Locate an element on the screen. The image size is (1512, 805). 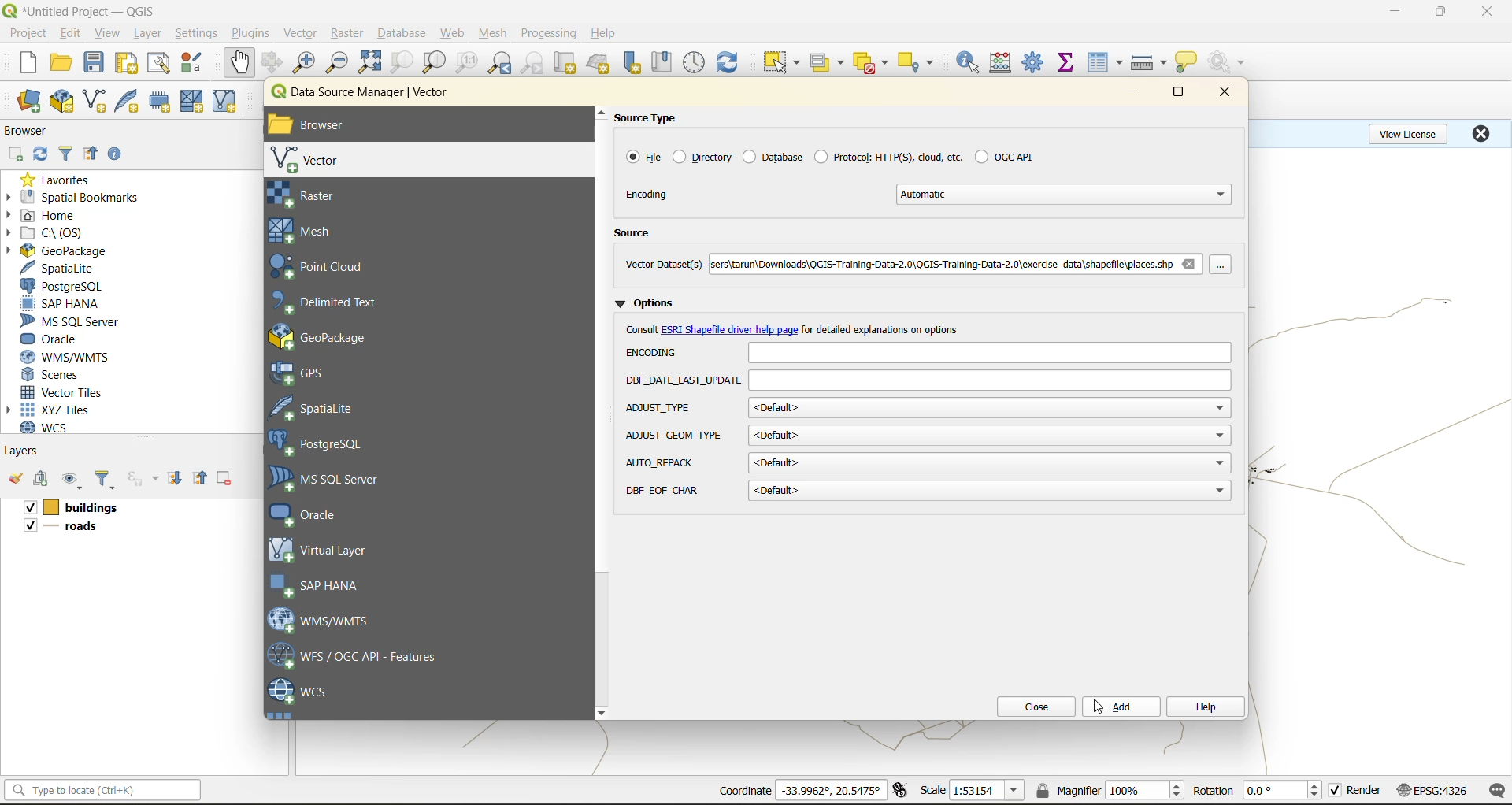
scenes is located at coordinates (52, 375).